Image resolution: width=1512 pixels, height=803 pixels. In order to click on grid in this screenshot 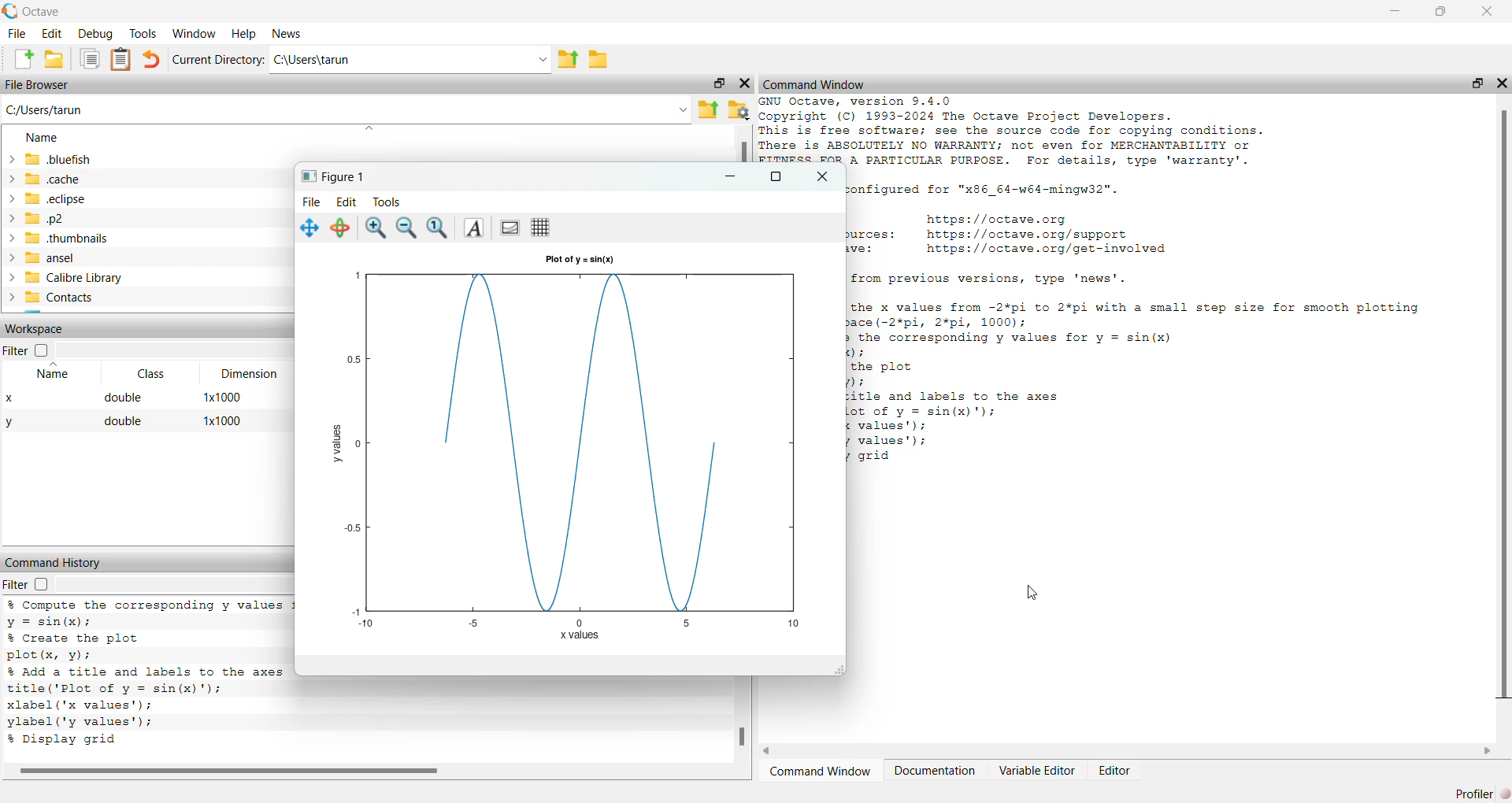, I will do `click(540, 228)`.